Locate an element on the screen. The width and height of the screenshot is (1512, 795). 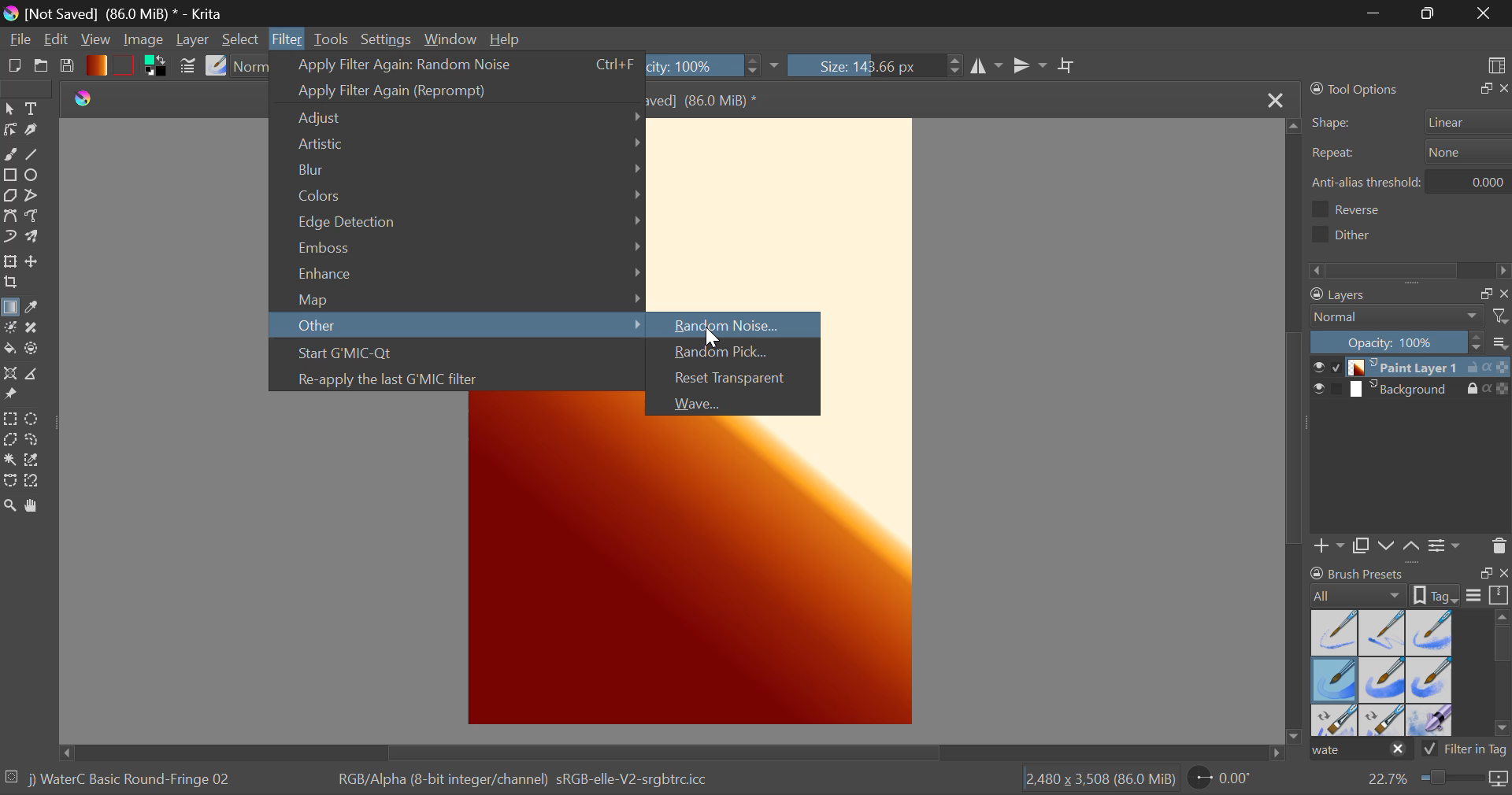
Brush Size is located at coordinates (878, 67).